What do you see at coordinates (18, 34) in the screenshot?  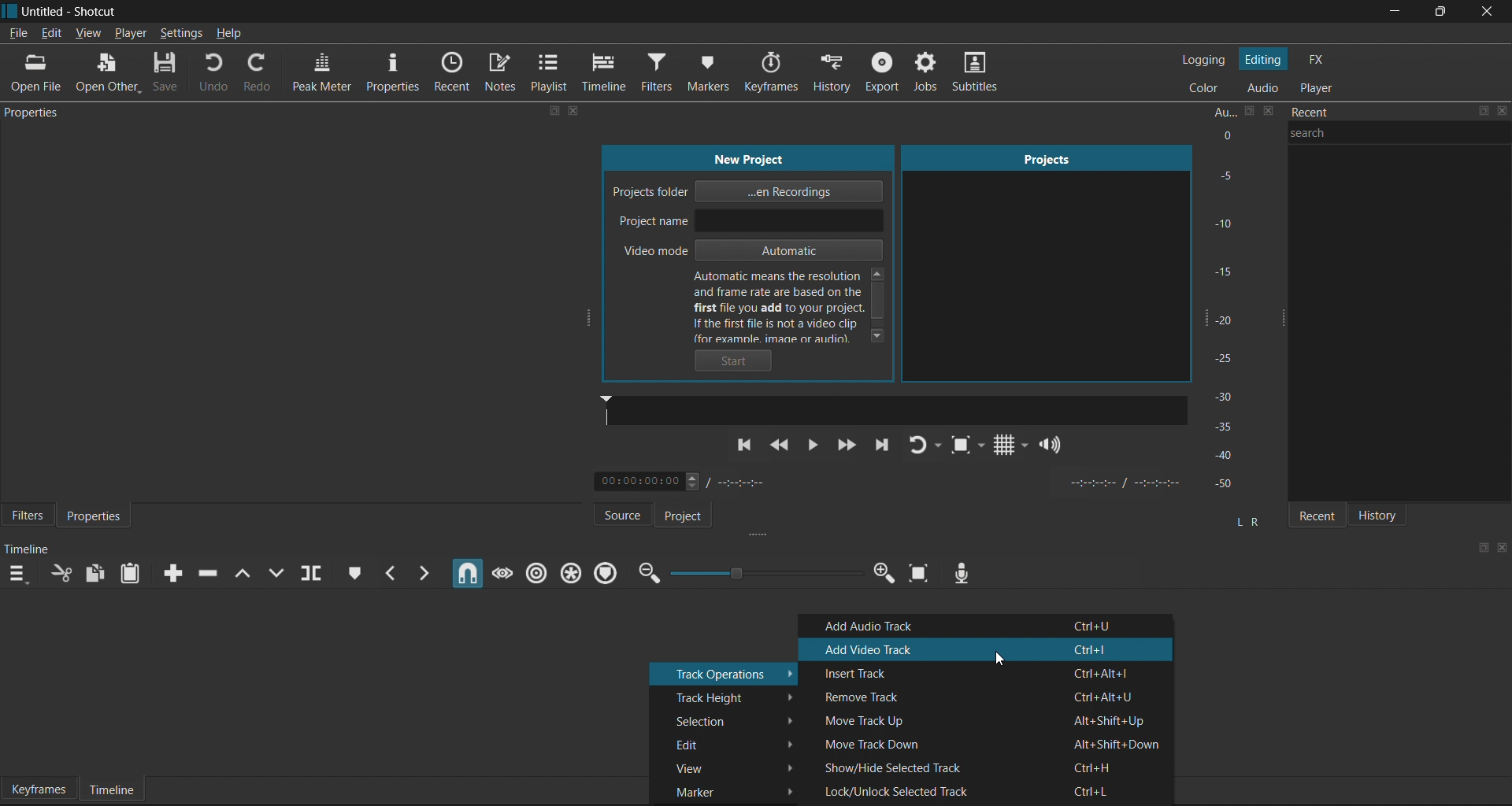 I see `File` at bounding box center [18, 34].